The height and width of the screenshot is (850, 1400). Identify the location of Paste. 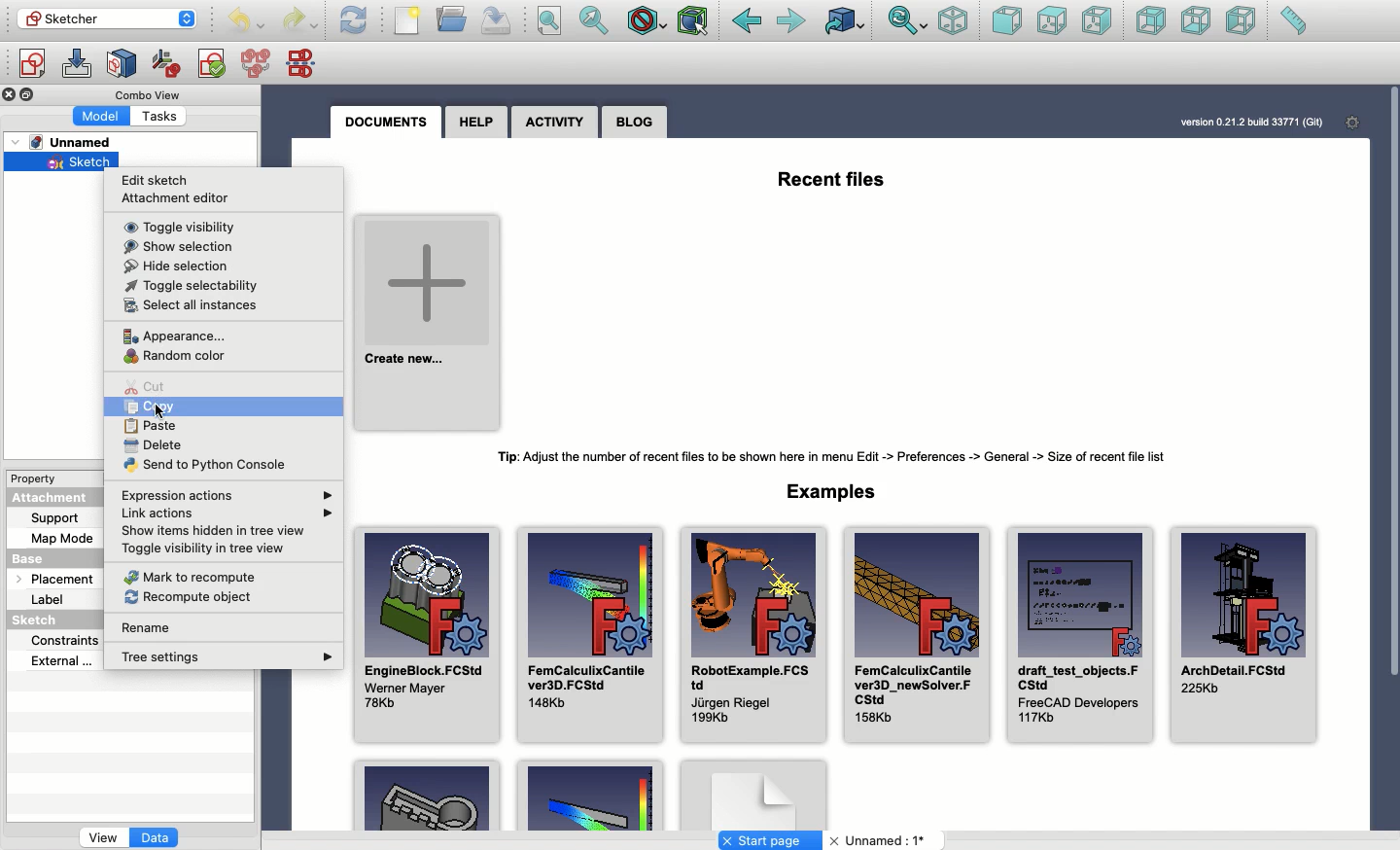
(157, 427).